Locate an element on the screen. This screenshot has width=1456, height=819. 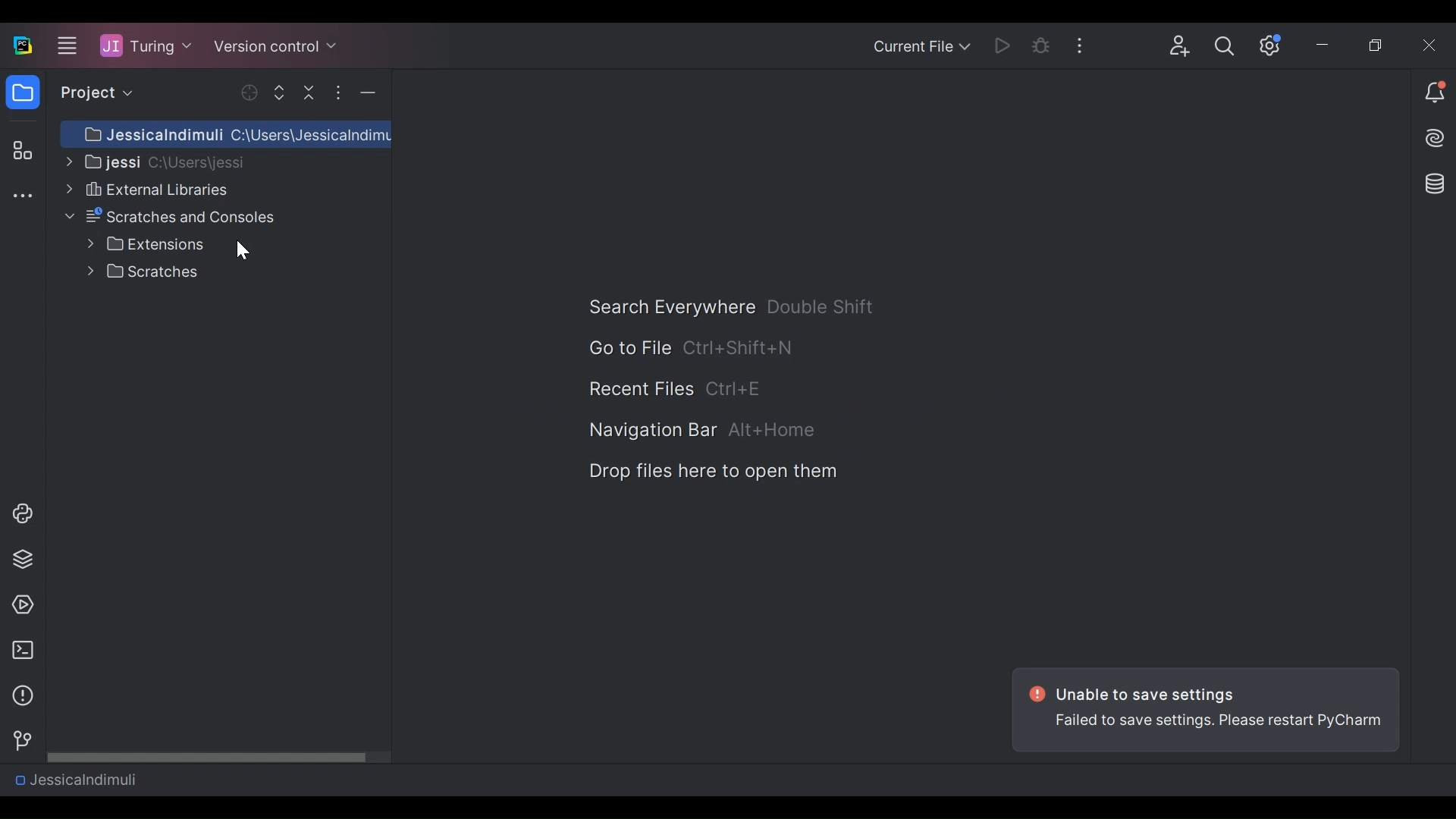
terminal is located at coordinates (18, 651).